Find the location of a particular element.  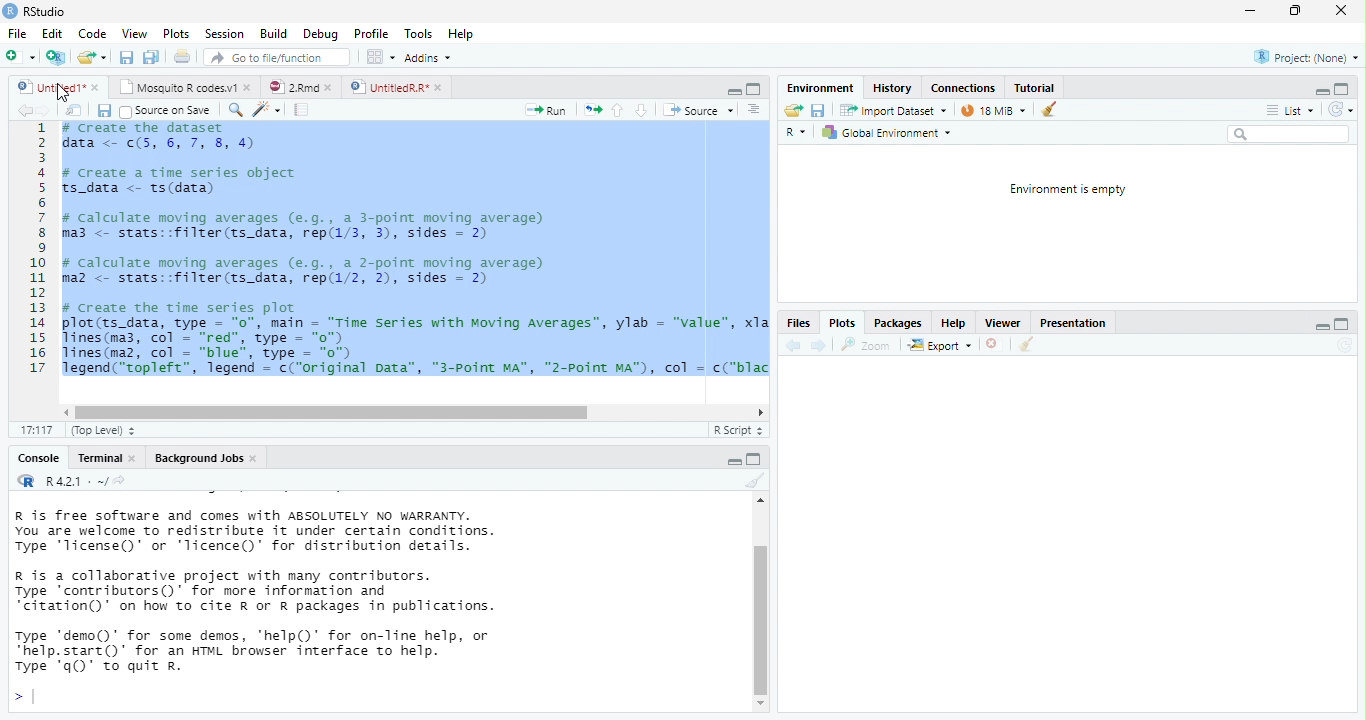

Session is located at coordinates (224, 33).